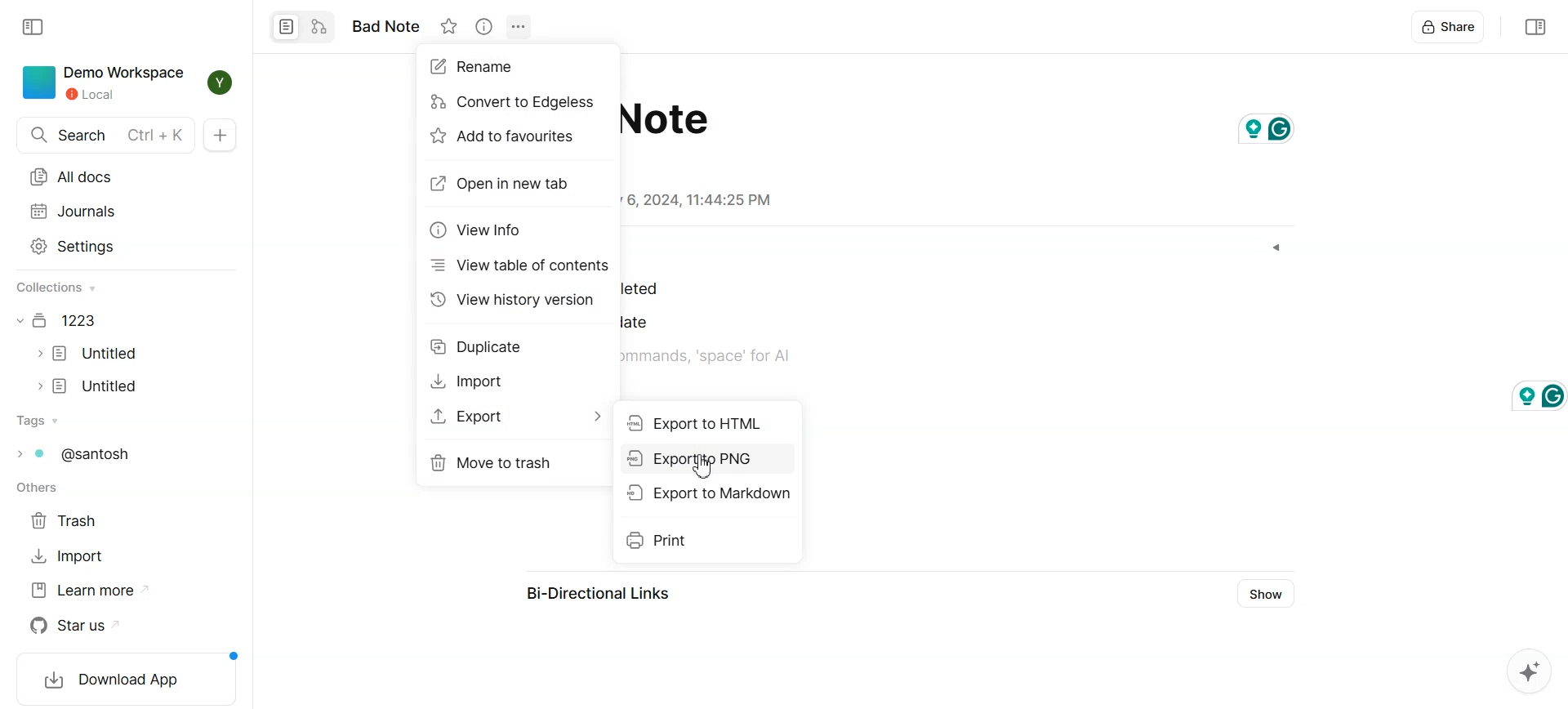  Describe the element at coordinates (1533, 28) in the screenshot. I see `Collapse sidebar` at that location.